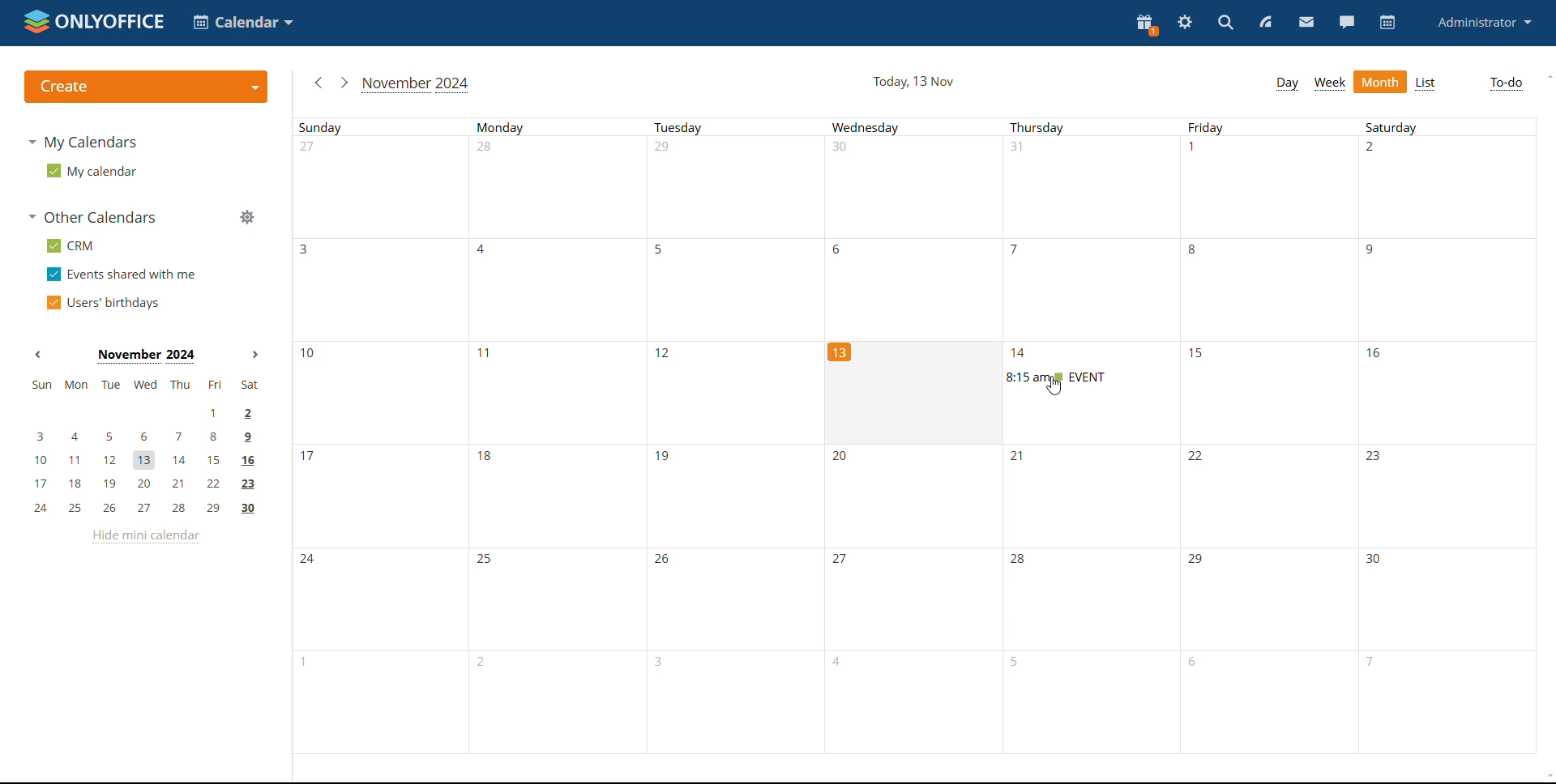 The width and height of the screenshot is (1556, 784). Describe the element at coordinates (68, 246) in the screenshot. I see `crm` at that location.